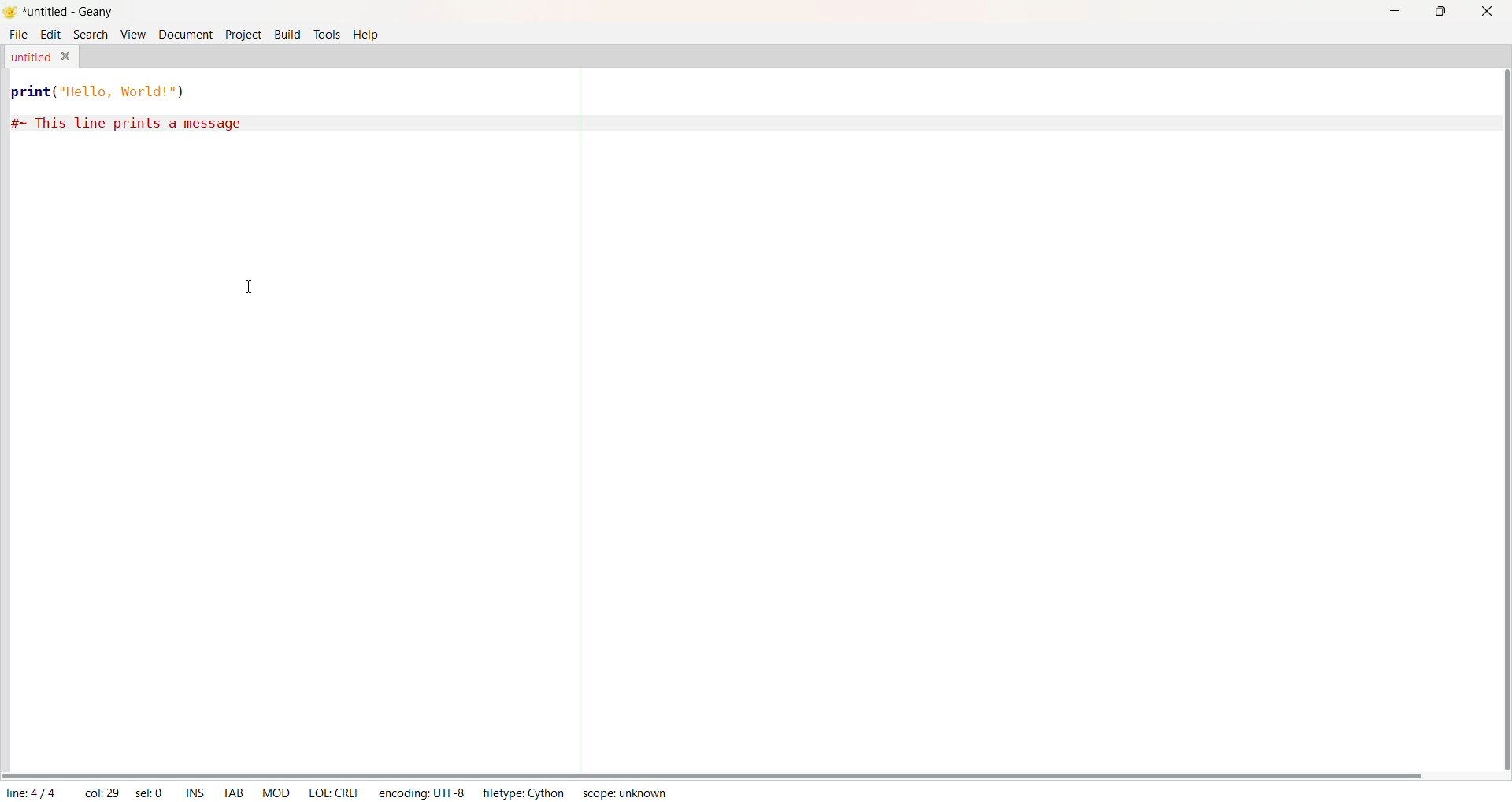  Describe the element at coordinates (325, 35) in the screenshot. I see `Tools` at that location.